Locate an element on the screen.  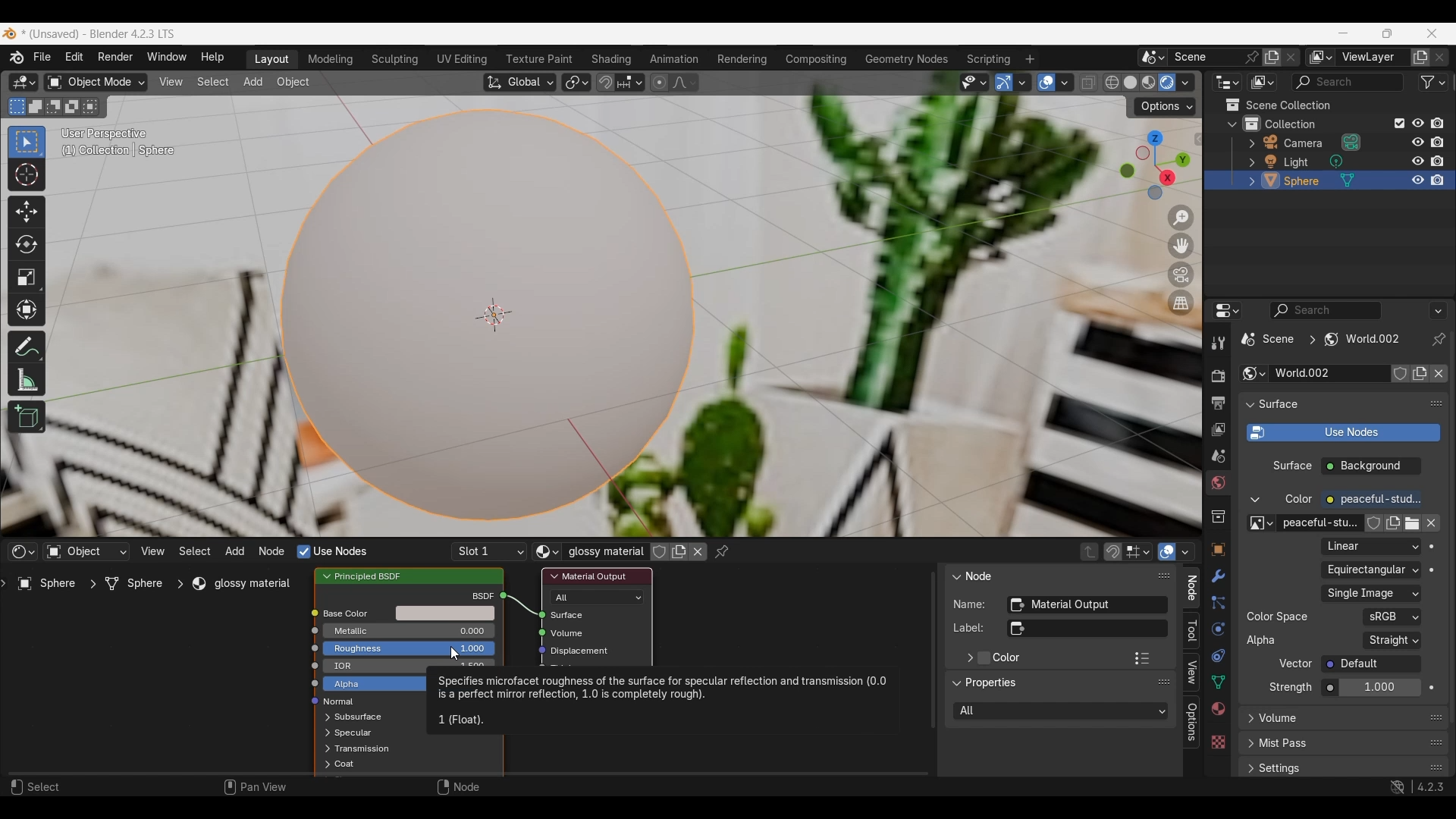
Pinned node tree is located at coordinates (721, 552).